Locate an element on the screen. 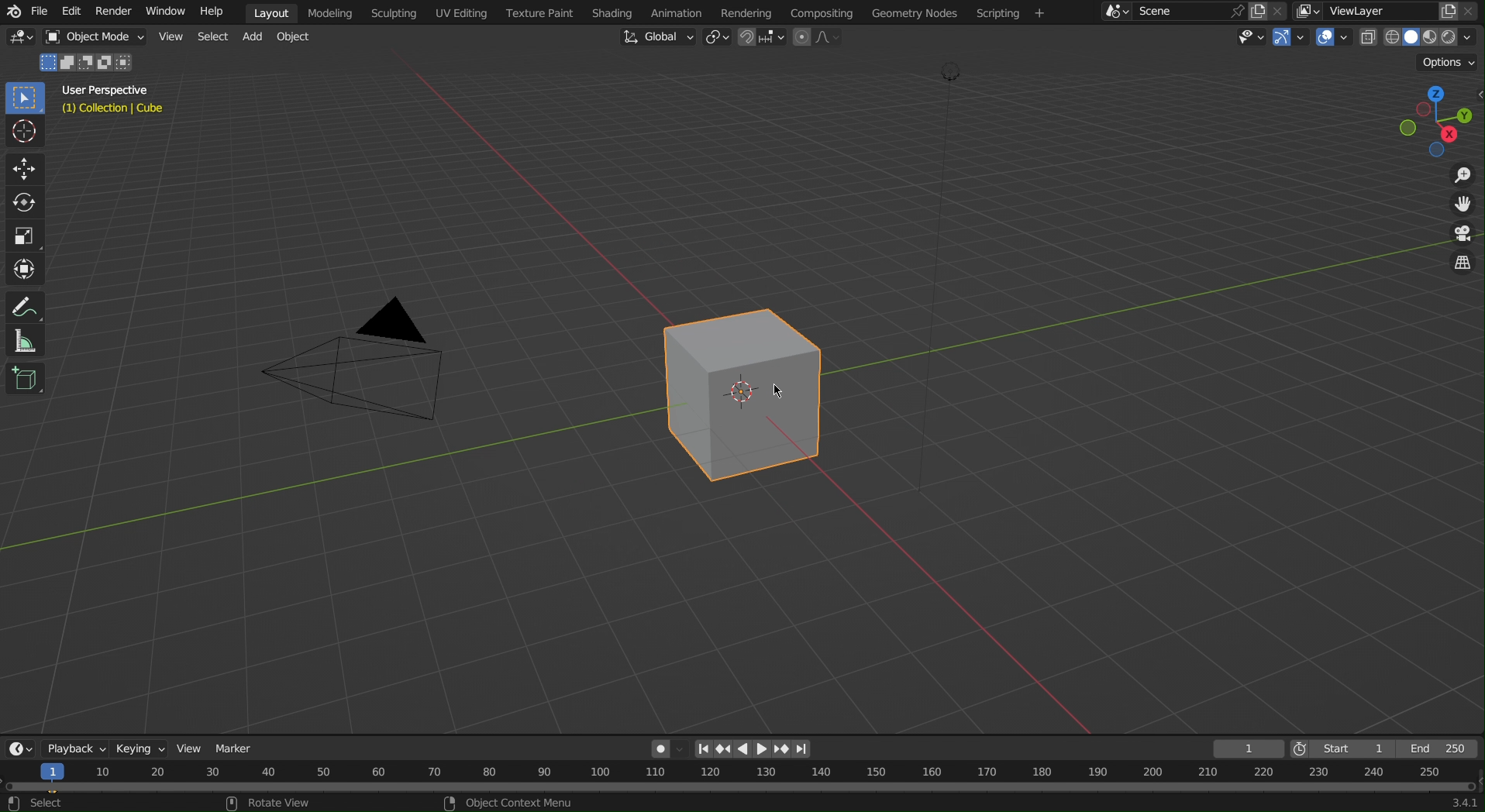  More layers is located at coordinates (1304, 10).